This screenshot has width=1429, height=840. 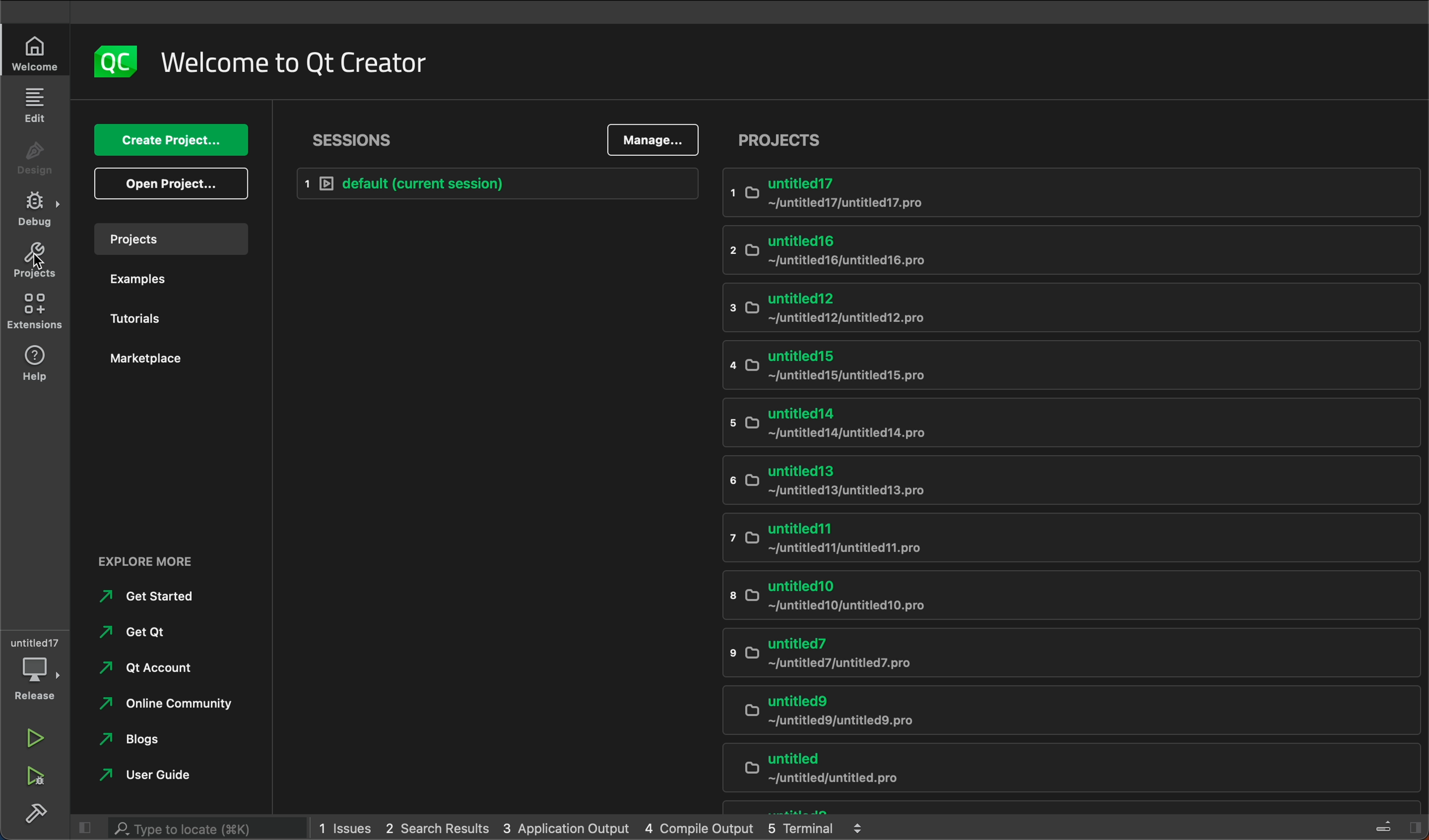 I want to click on debug, so click(x=40, y=211).